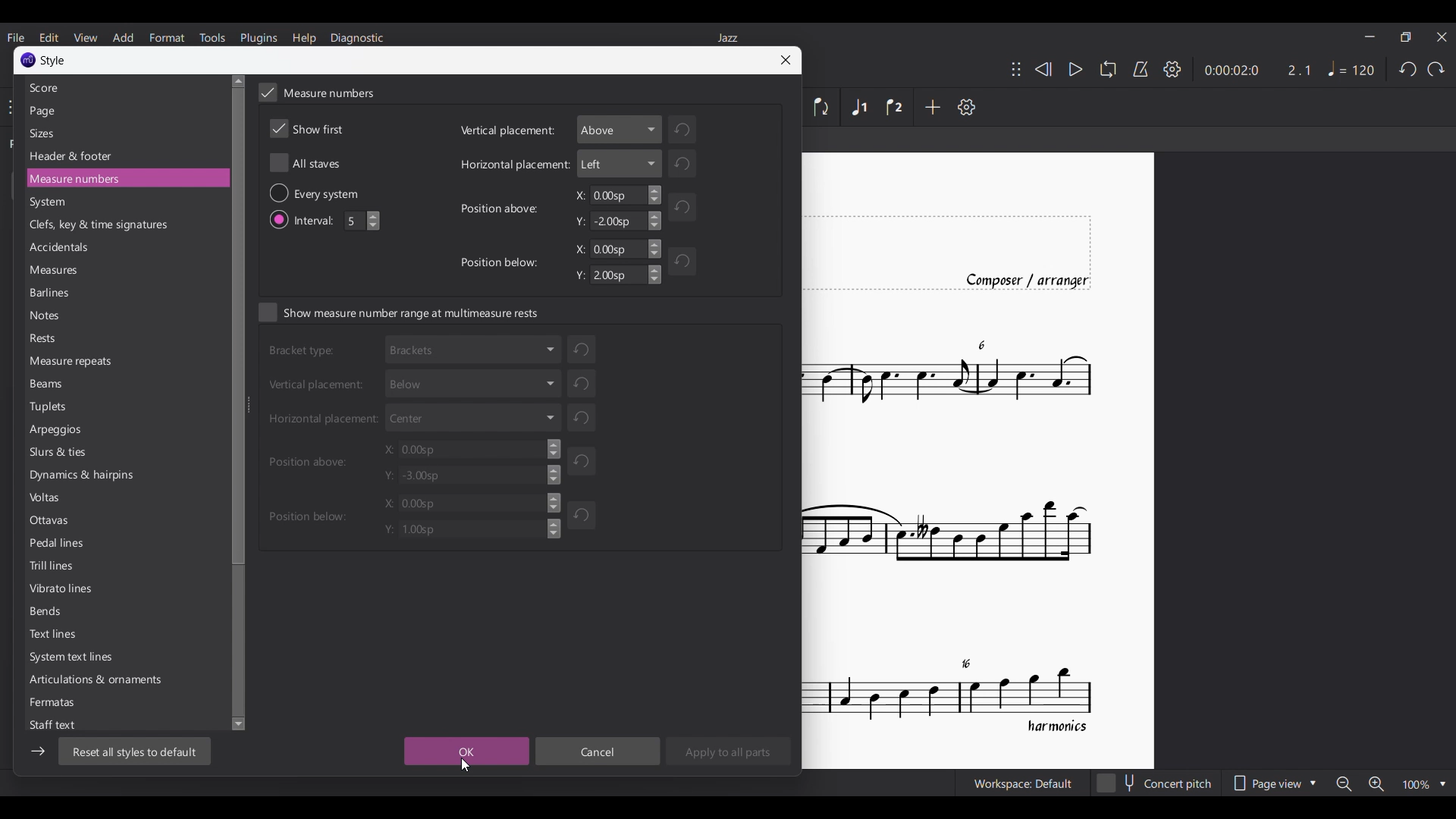 The width and height of the screenshot is (1456, 819). I want to click on Intervat, so click(318, 219).